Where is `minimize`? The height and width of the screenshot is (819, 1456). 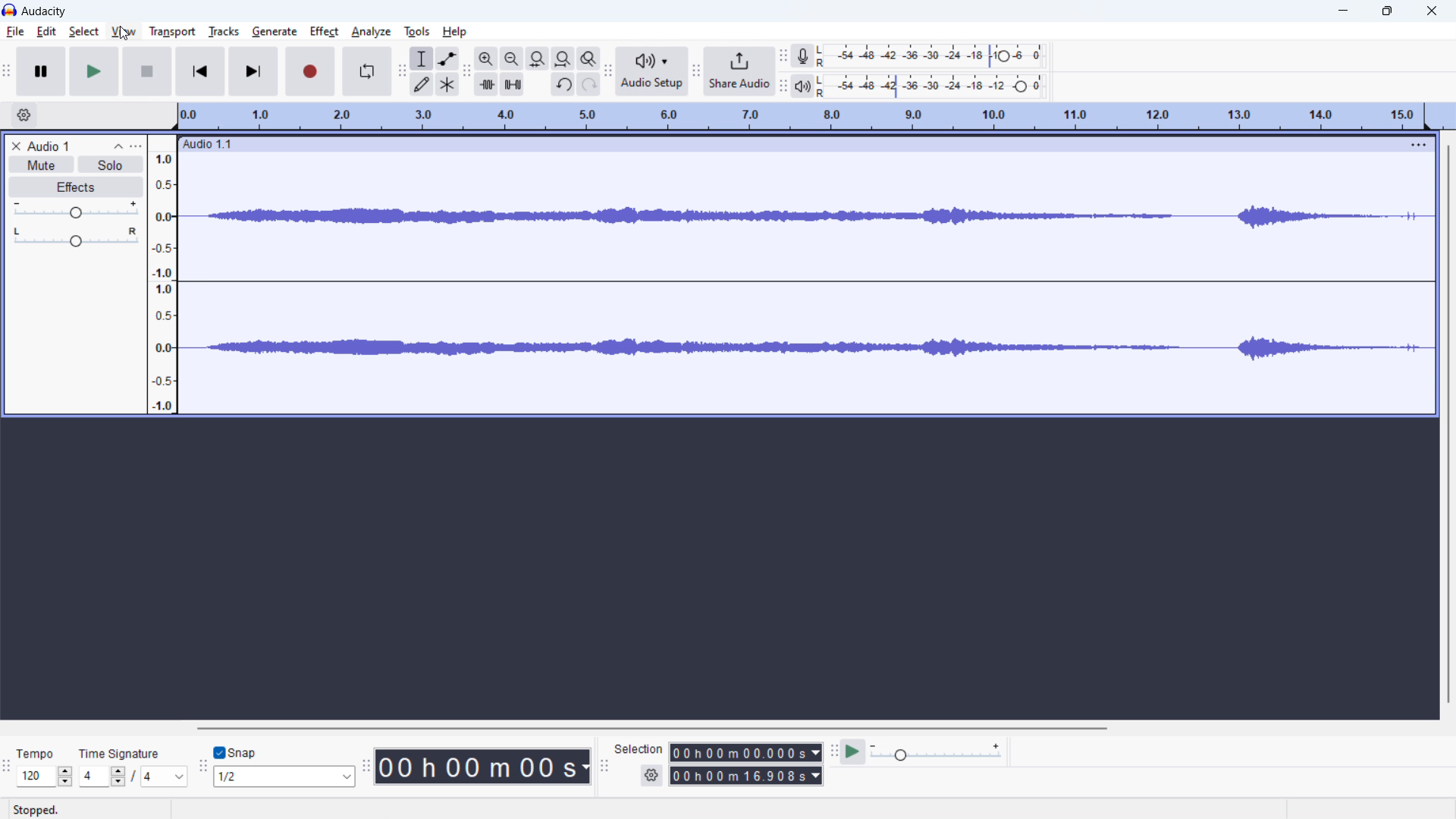
minimize is located at coordinates (1345, 10).